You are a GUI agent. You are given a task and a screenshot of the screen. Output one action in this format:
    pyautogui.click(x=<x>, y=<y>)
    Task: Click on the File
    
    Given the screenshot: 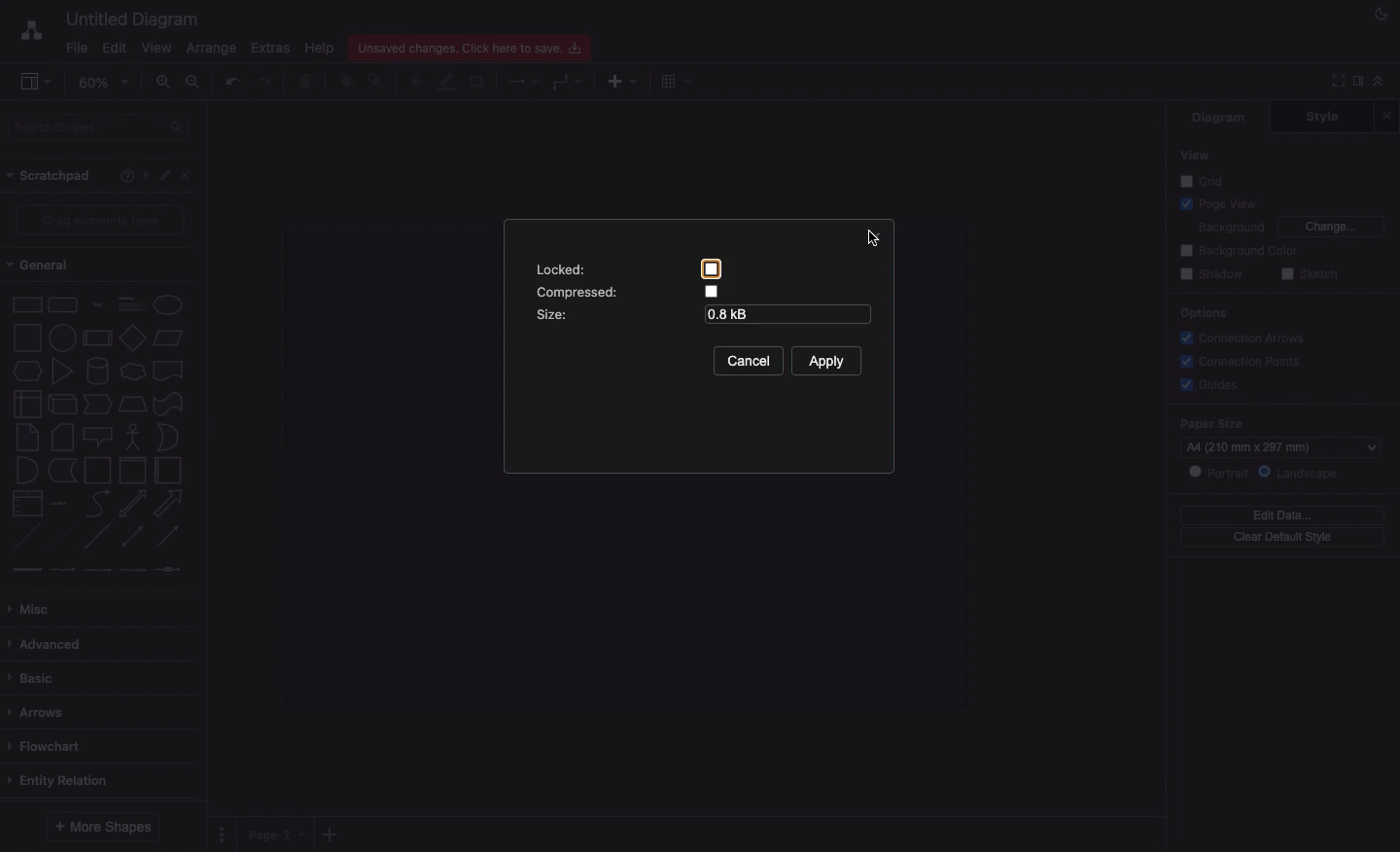 What is the action you would take?
    pyautogui.click(x=78, y=49)
    